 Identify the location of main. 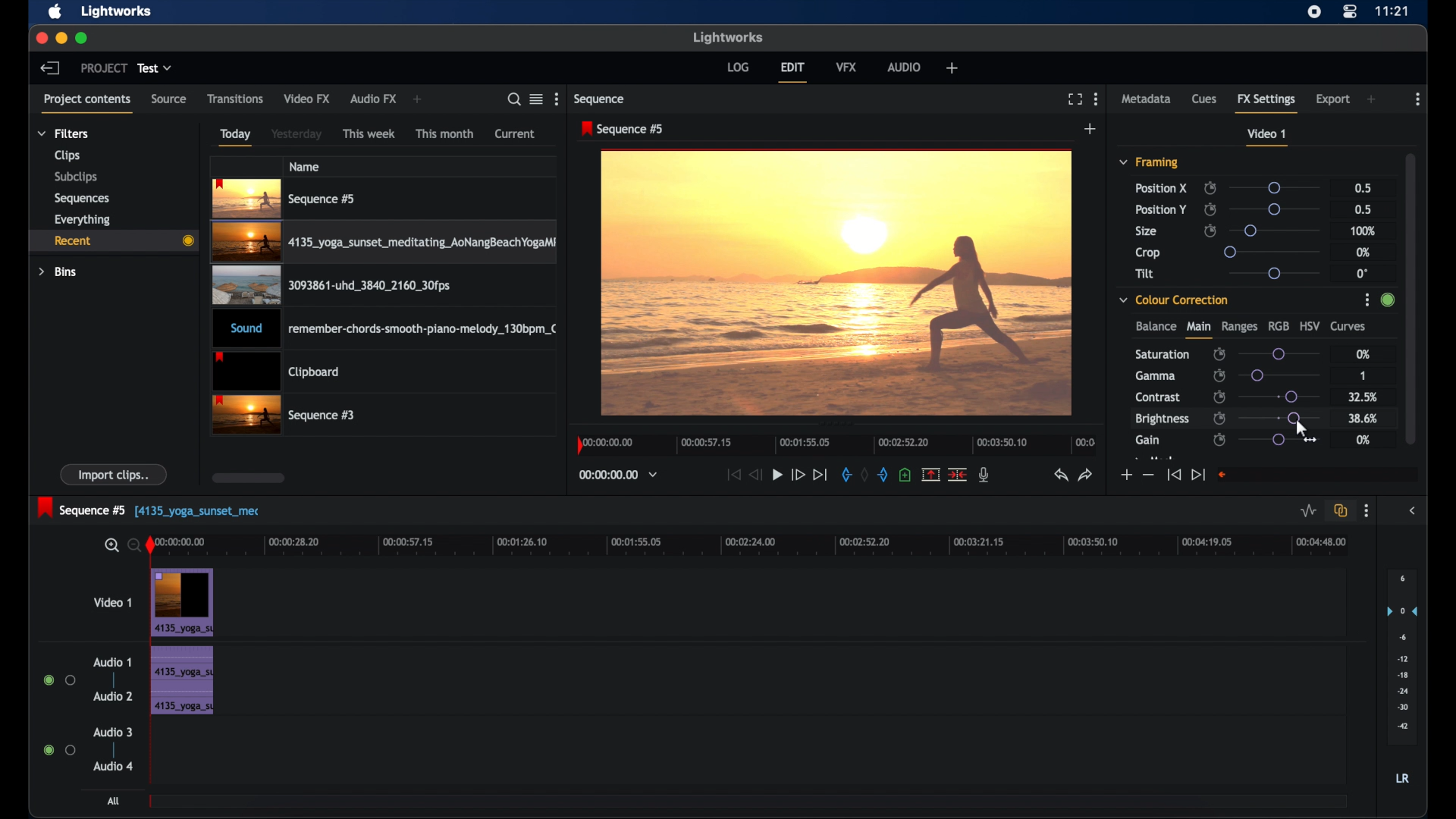
(1198, 330).